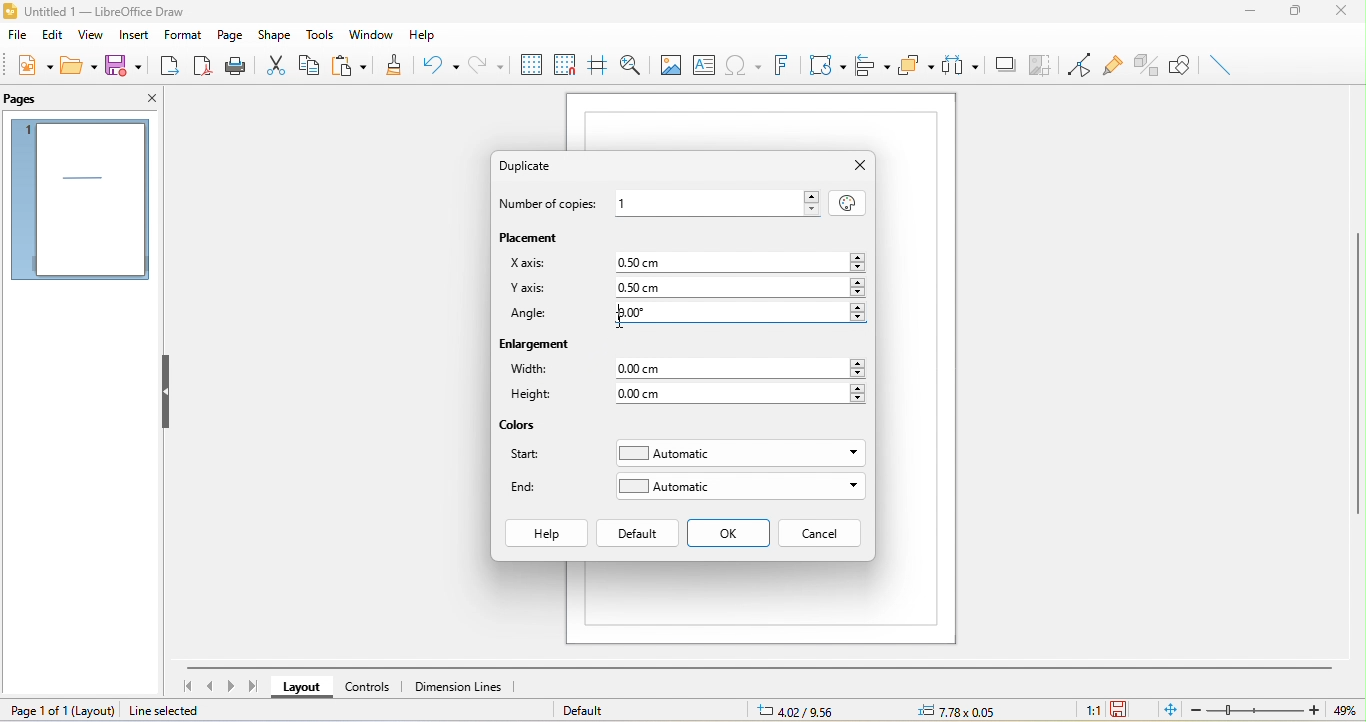  I want to click on line selected, so click(178, 711).